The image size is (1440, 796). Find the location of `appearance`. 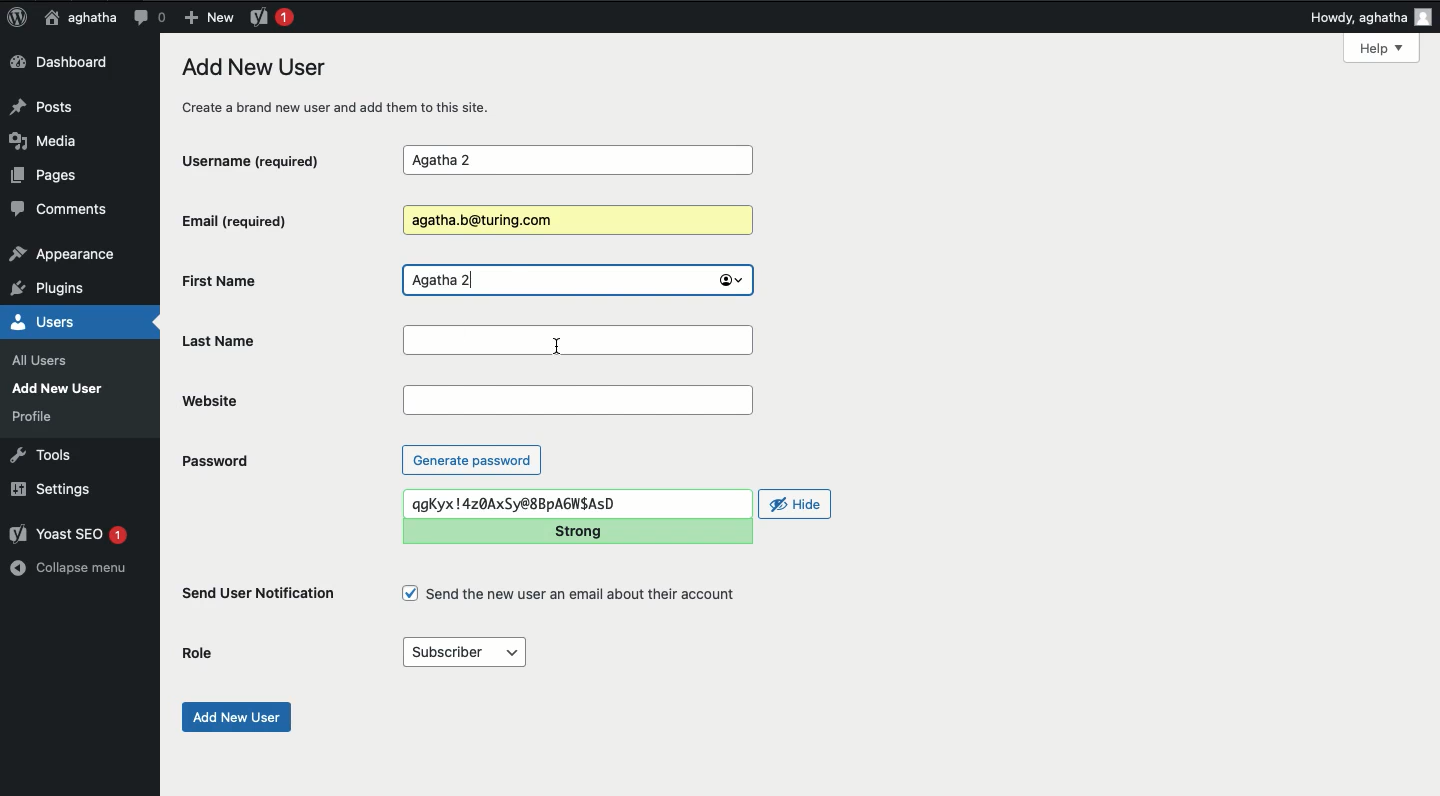

appearance is located at coordinates (63, 256).